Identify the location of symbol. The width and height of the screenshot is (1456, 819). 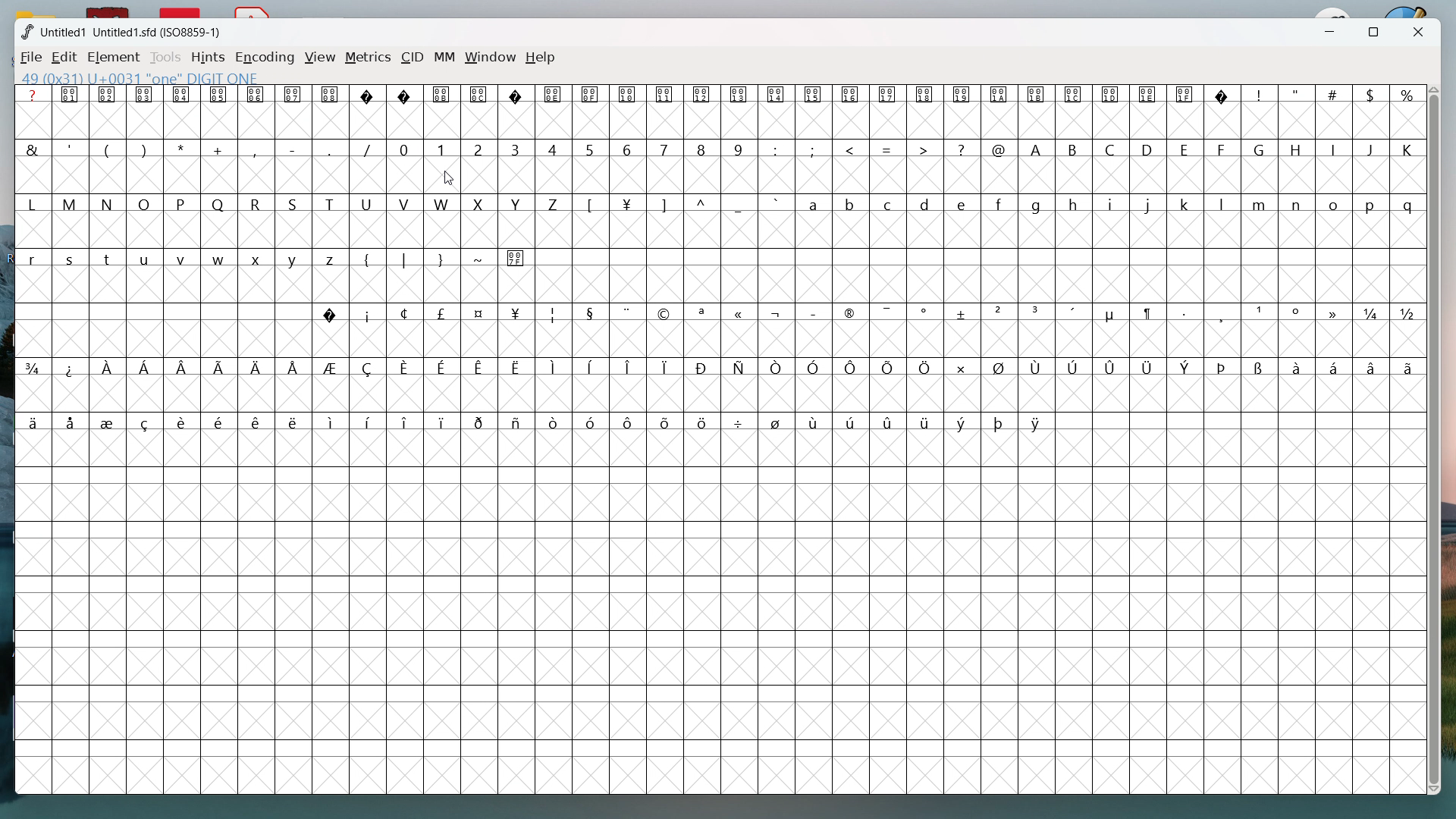
(778, 367).